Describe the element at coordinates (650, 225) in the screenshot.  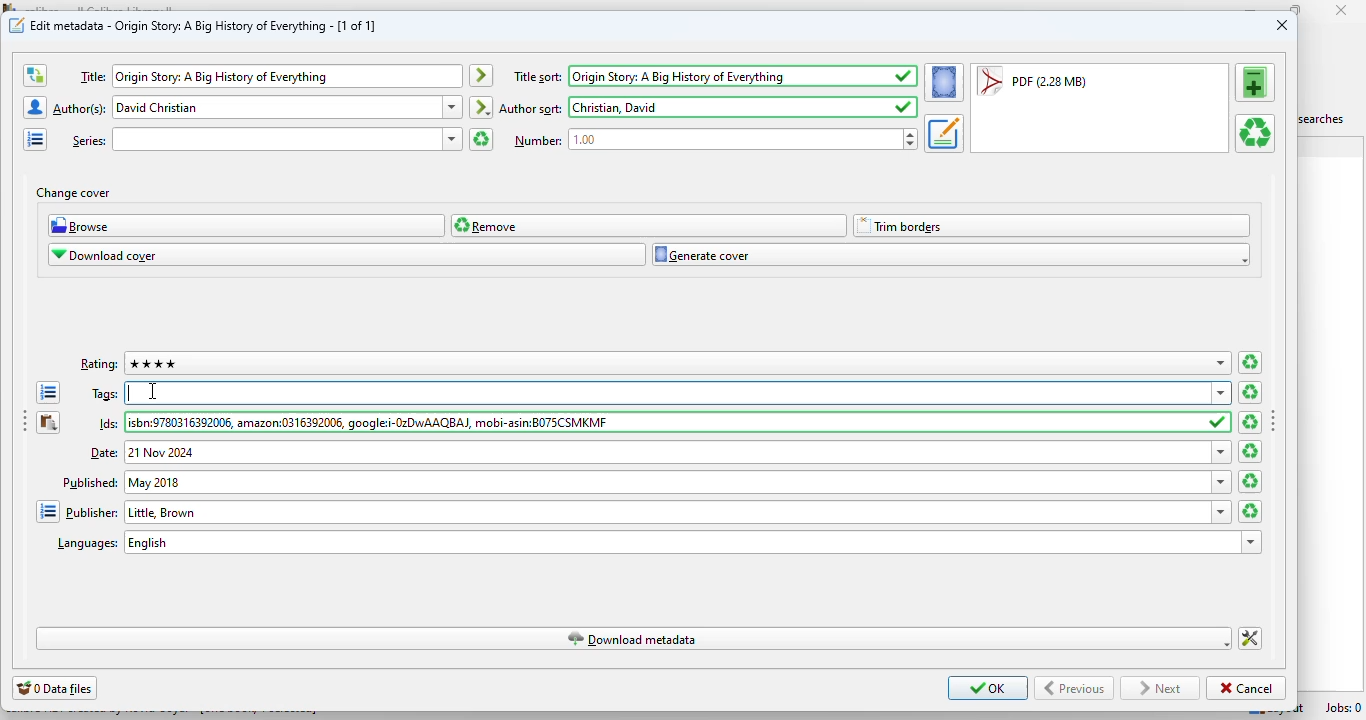
I see `remove` at that location.